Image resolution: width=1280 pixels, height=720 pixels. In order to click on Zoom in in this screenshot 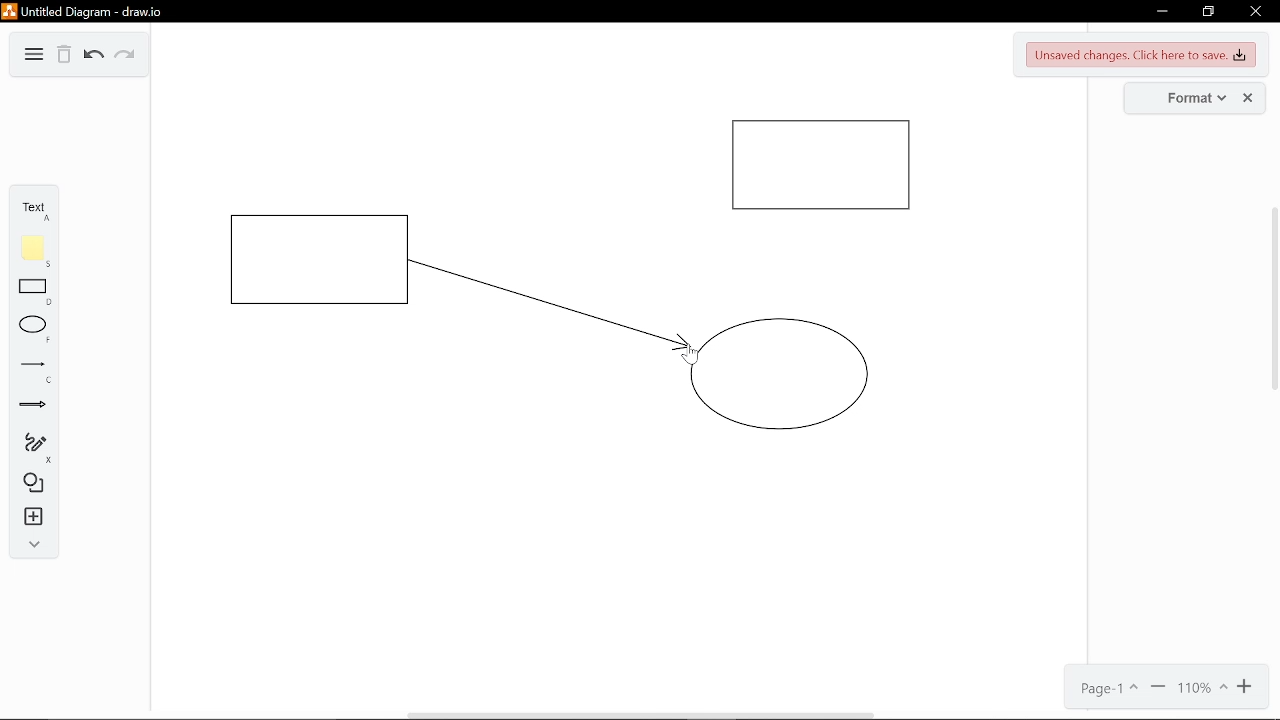, I will do `click(1249, 687)`.